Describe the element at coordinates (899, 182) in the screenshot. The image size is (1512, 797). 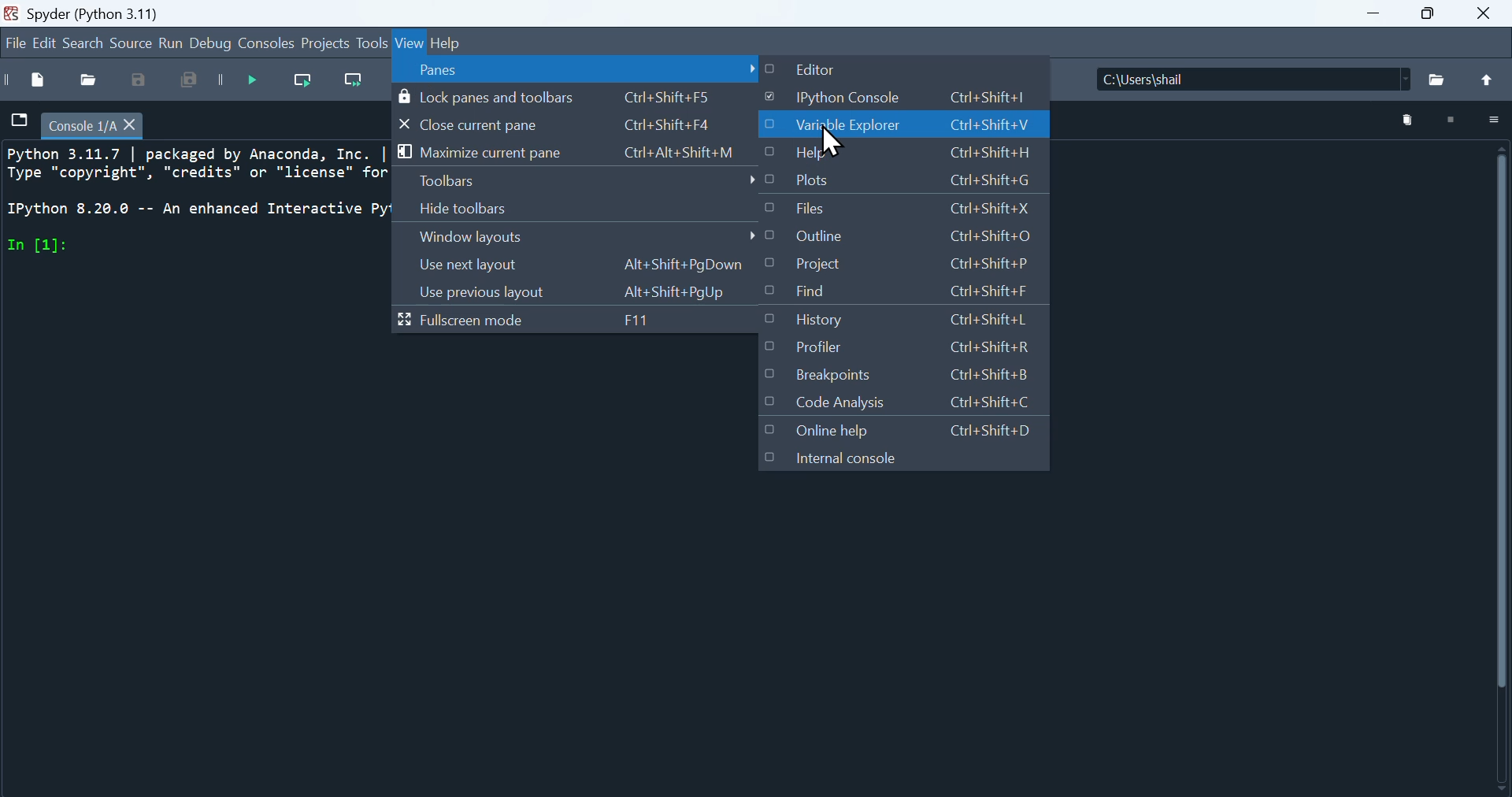
I see `plots` at that location.